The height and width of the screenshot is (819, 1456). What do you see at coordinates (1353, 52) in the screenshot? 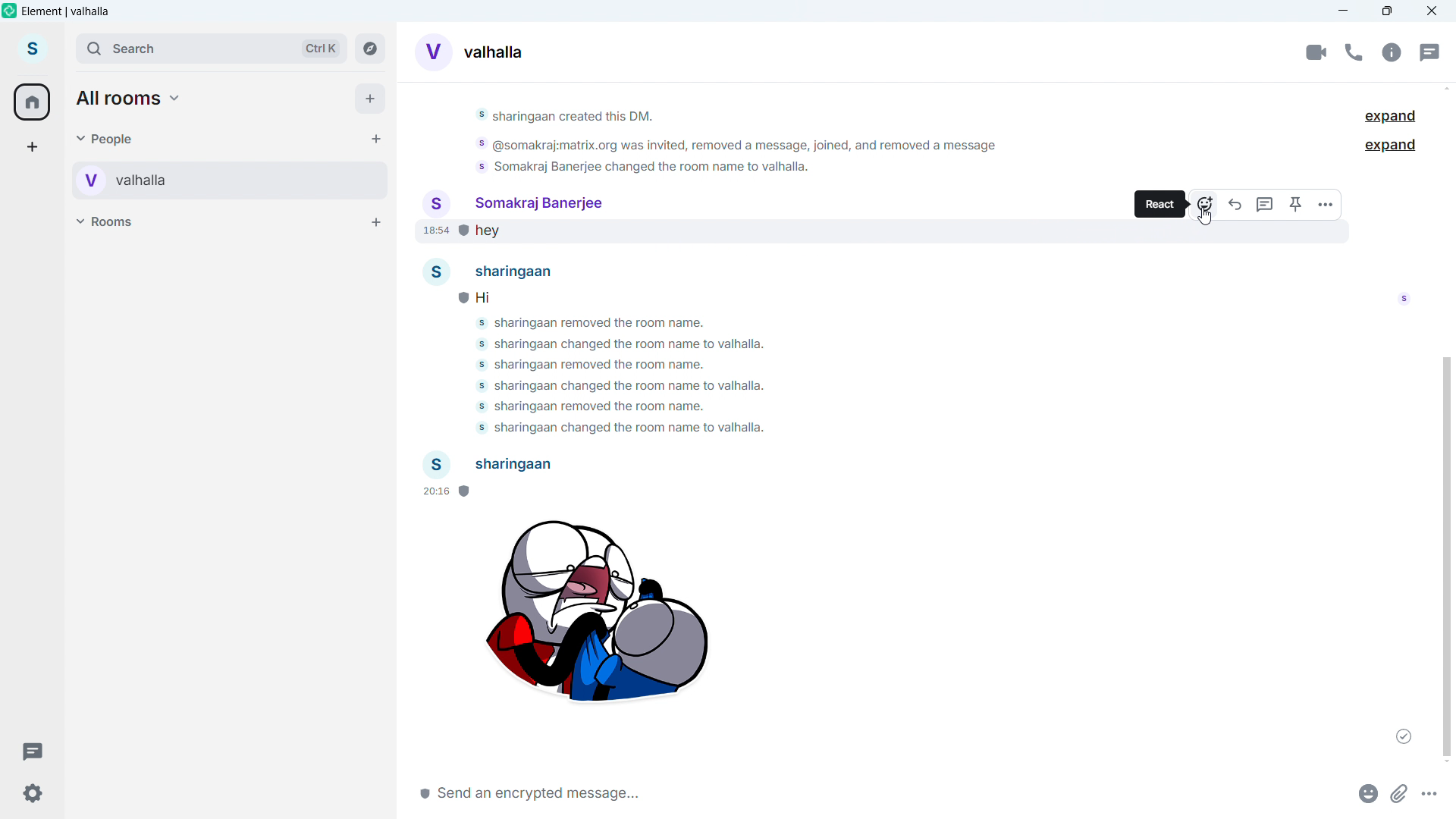
I see `call ` at bounding box center [1353, 52].